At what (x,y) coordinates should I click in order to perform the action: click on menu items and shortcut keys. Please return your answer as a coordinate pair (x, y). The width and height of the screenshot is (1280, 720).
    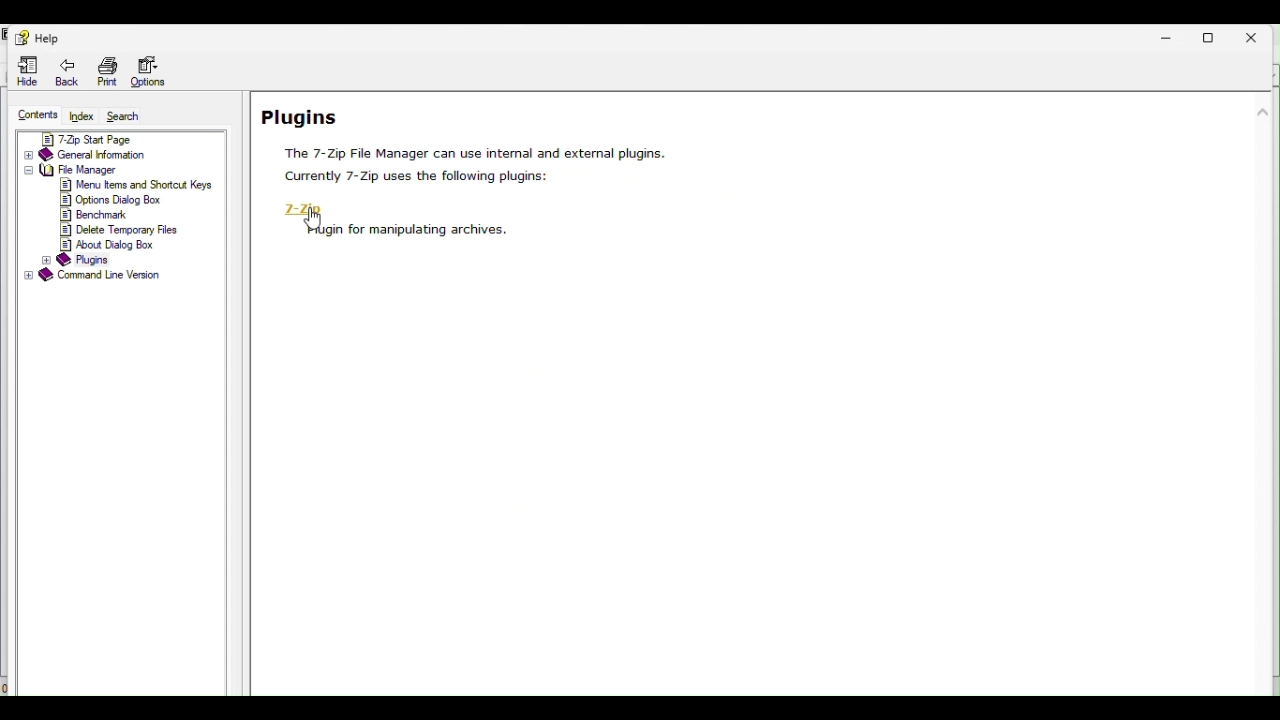
    Looking at the image, I should click on (144, 186).